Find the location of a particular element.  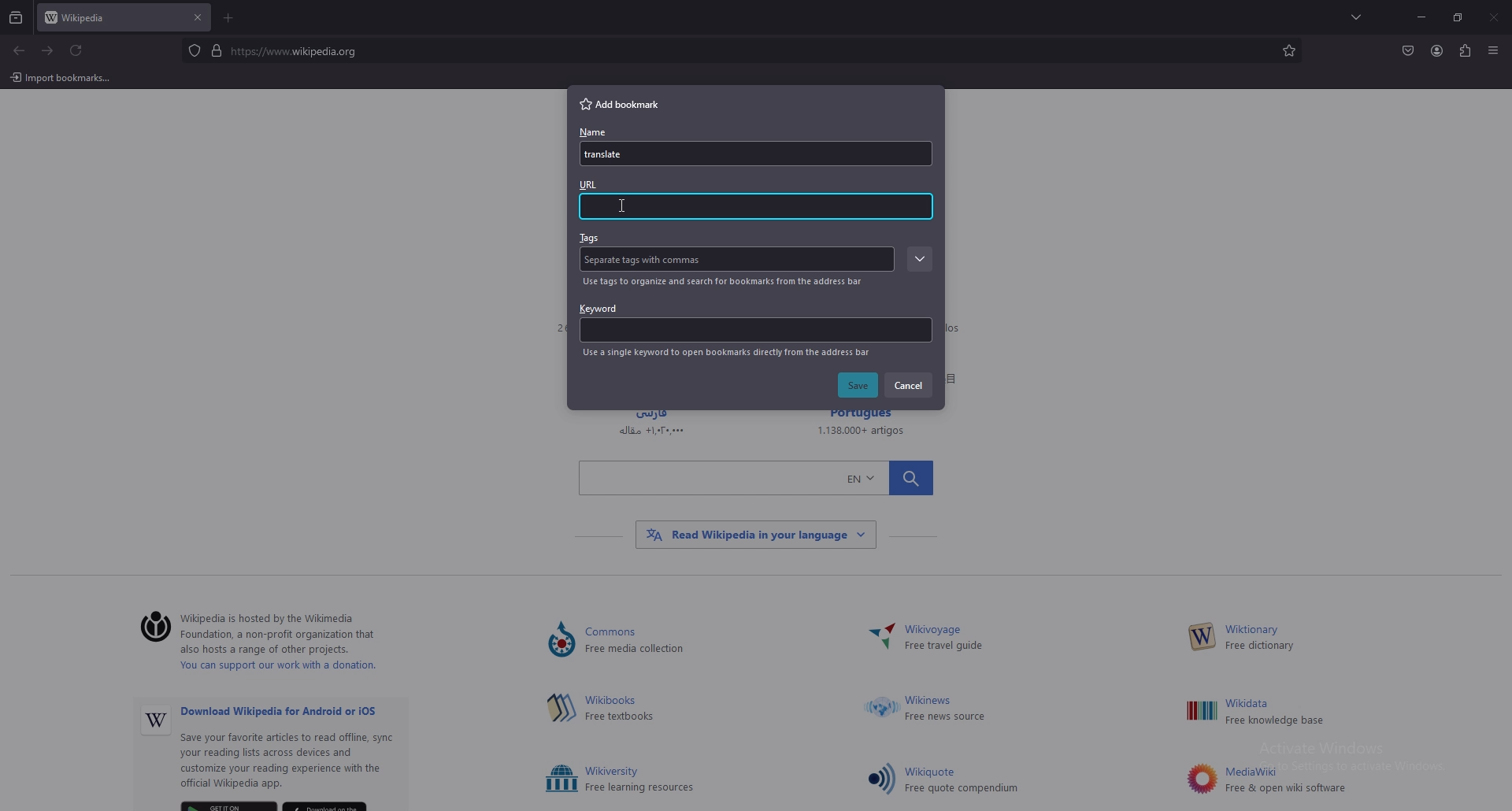

add tab is located at coordinates (230, 18).